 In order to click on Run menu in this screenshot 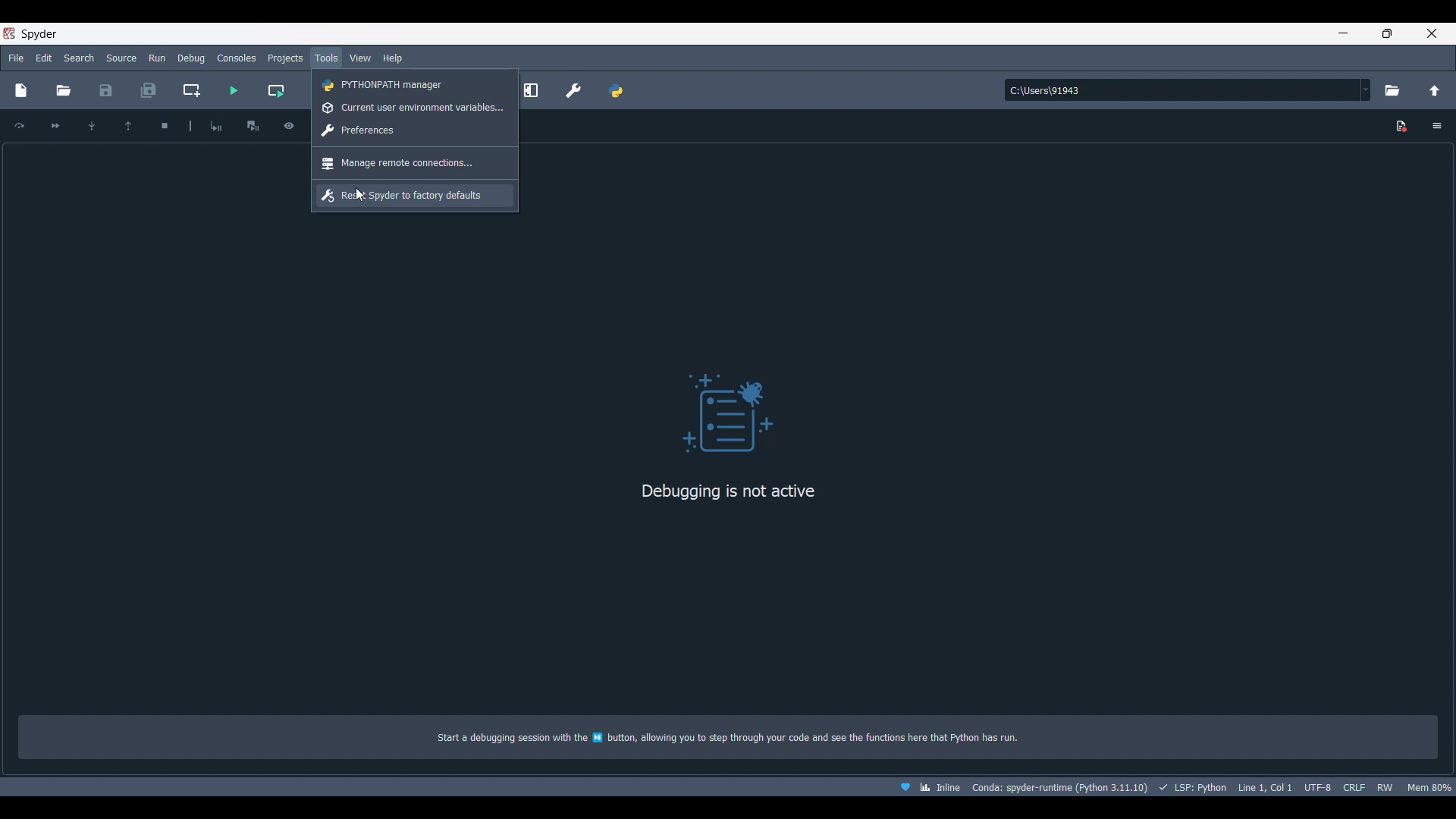, I will do `click(155, 58)`.